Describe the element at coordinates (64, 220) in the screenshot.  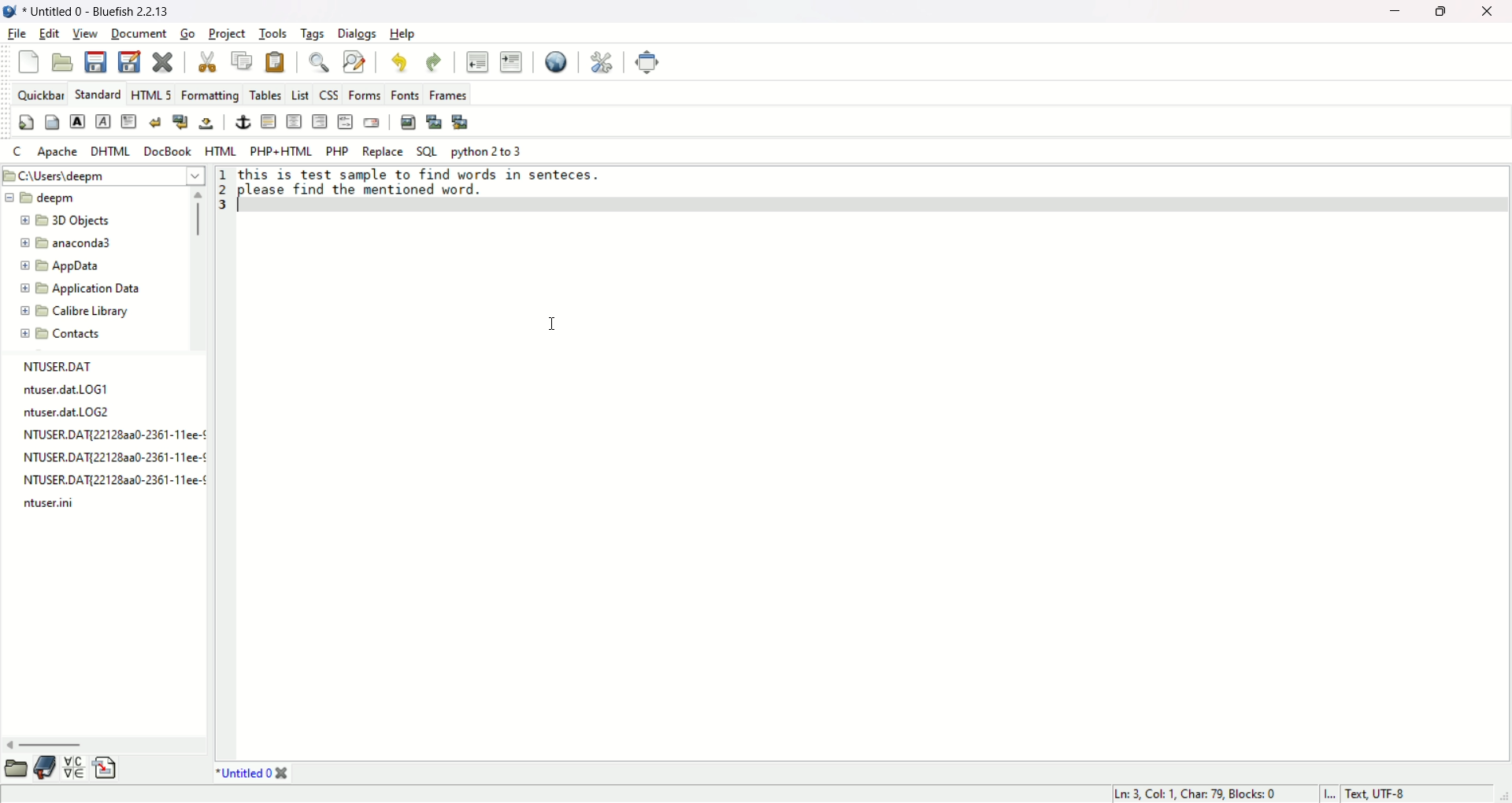
I see `3D object` at that location.